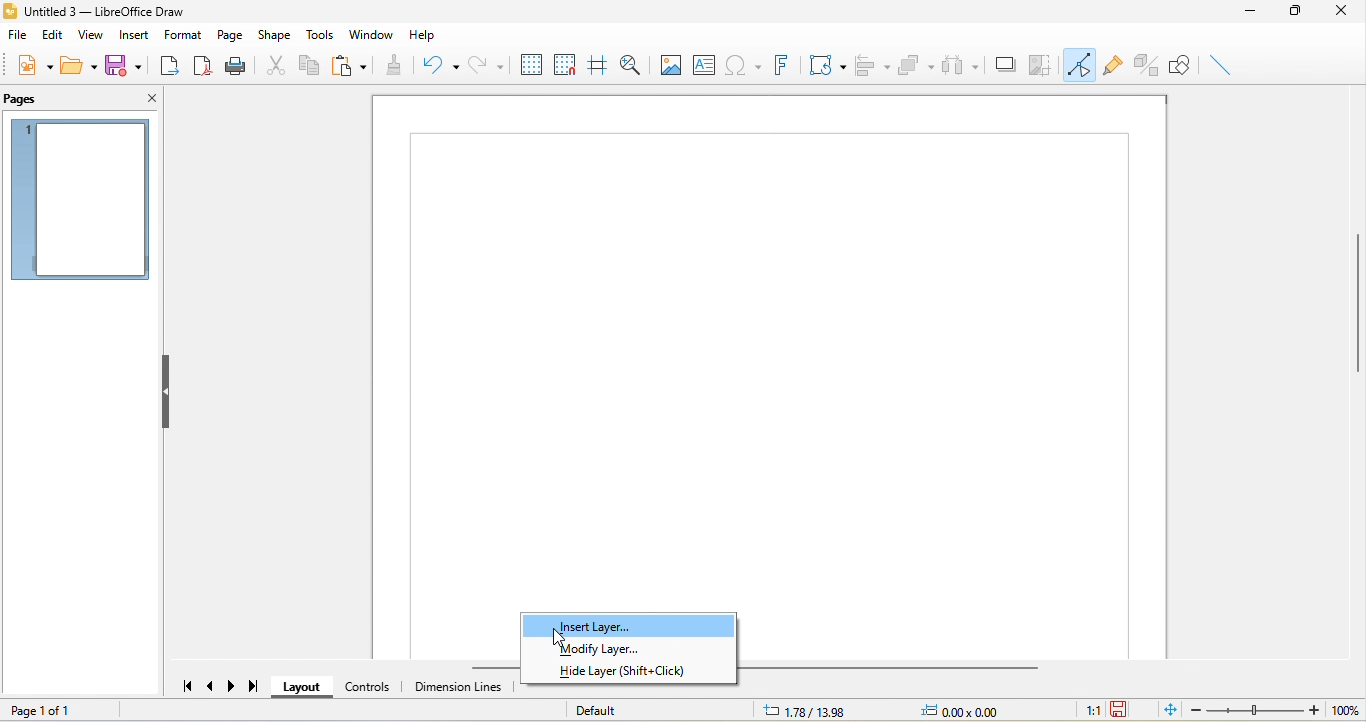 The height and width of the screenshot is (722, 1366). I want to click on font work text, so click(781, 63).